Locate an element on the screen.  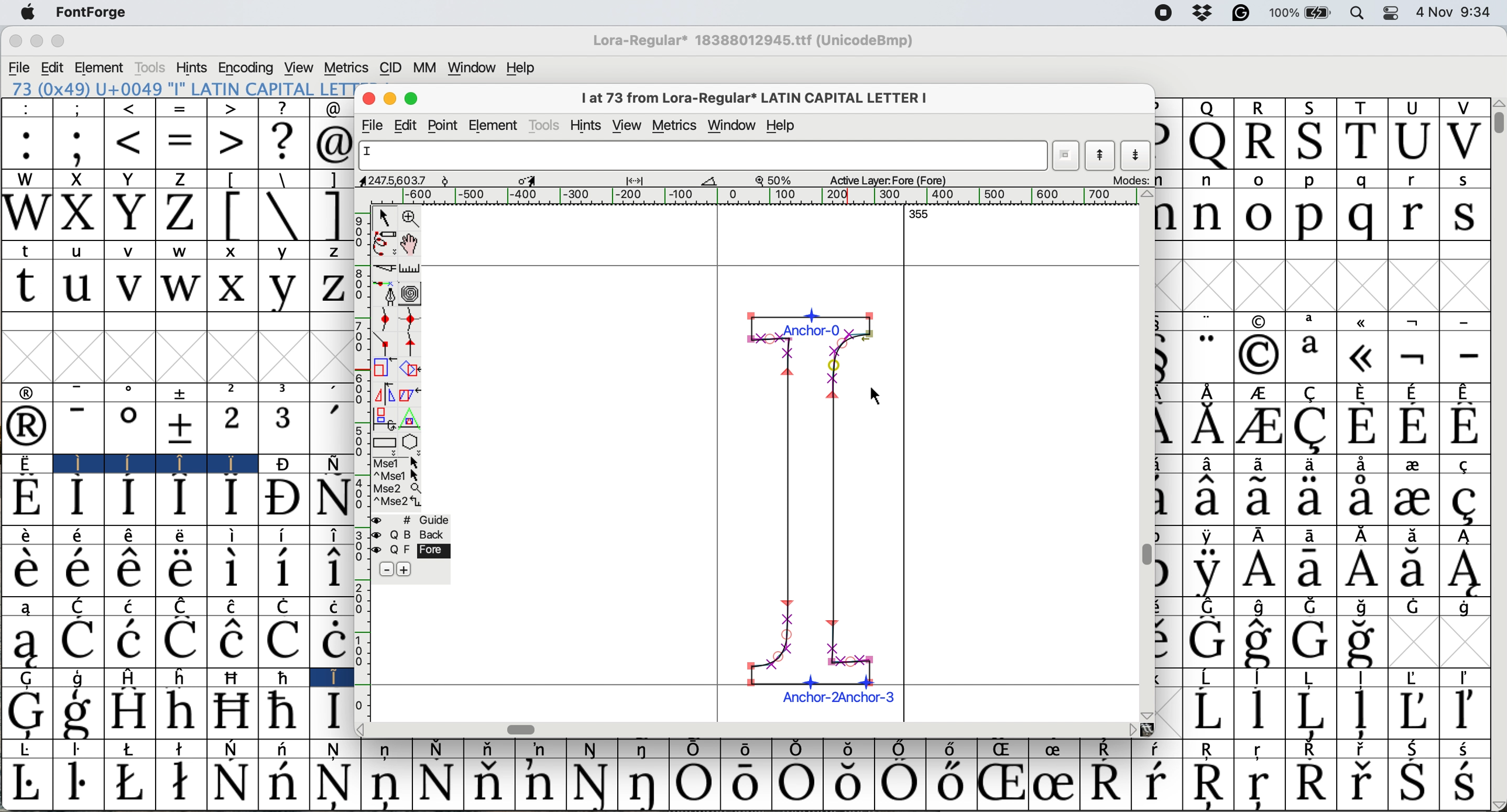
Symbol is located at coordinates (438, 784).